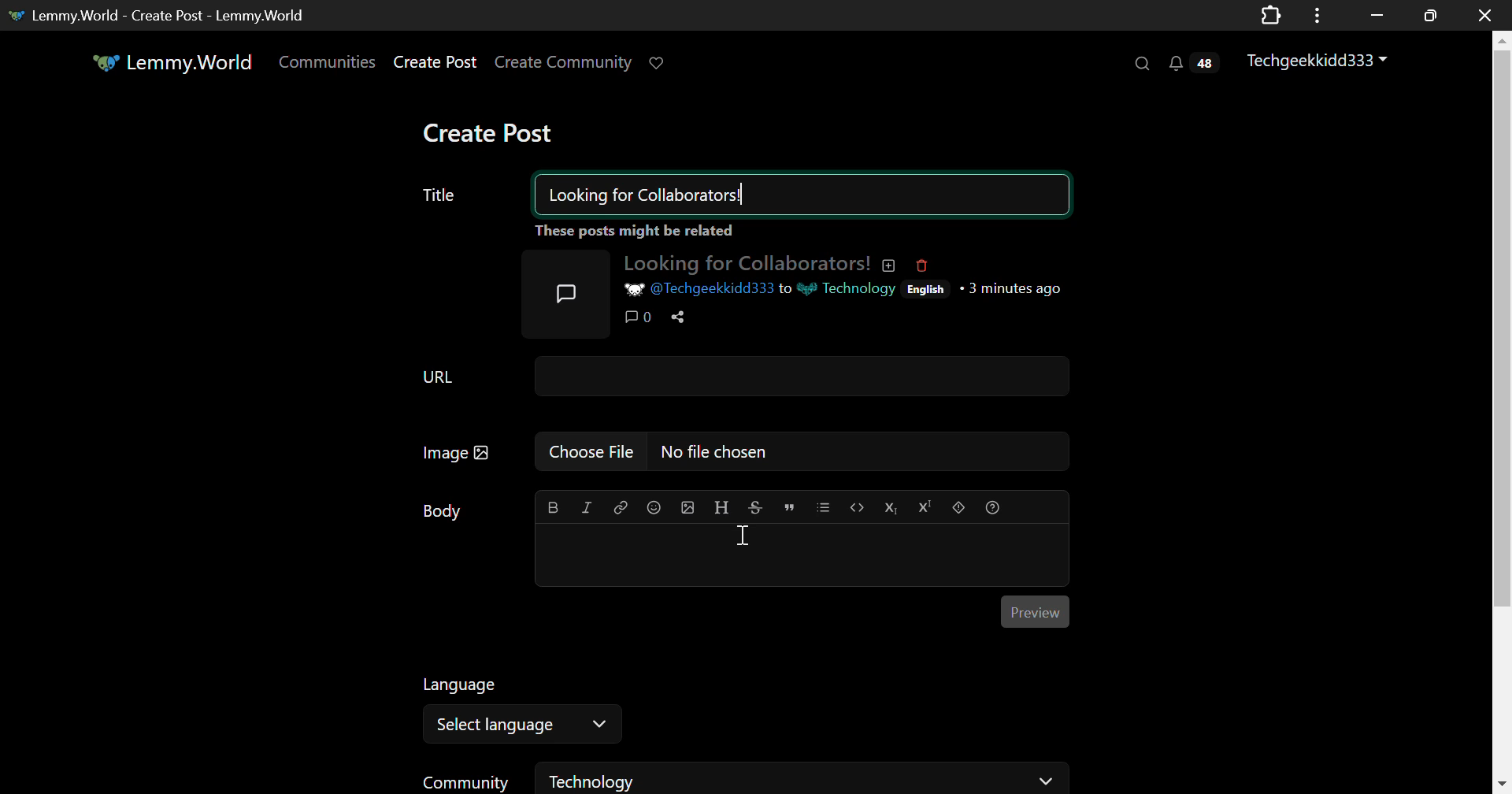 The image size is (1512, 794). Describe the element at coordinates (468, 780) in the screenshot. I see `Community` at that location.